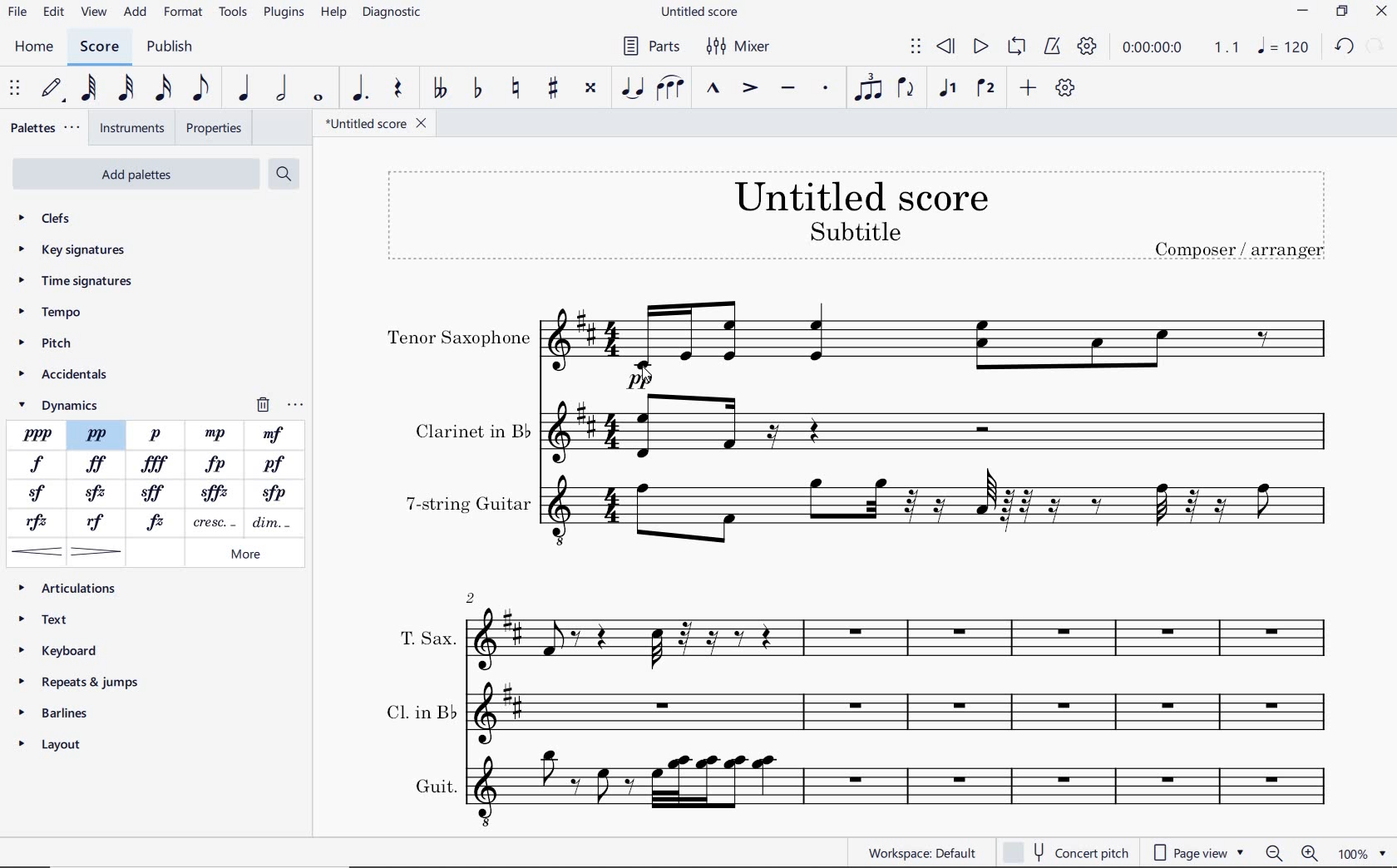 The width and height of the screenshot is (1397, 868). What do you see at coordinates (78, 279) in the screenshot?
I see `time signatures` at bounding box center [78, 279].